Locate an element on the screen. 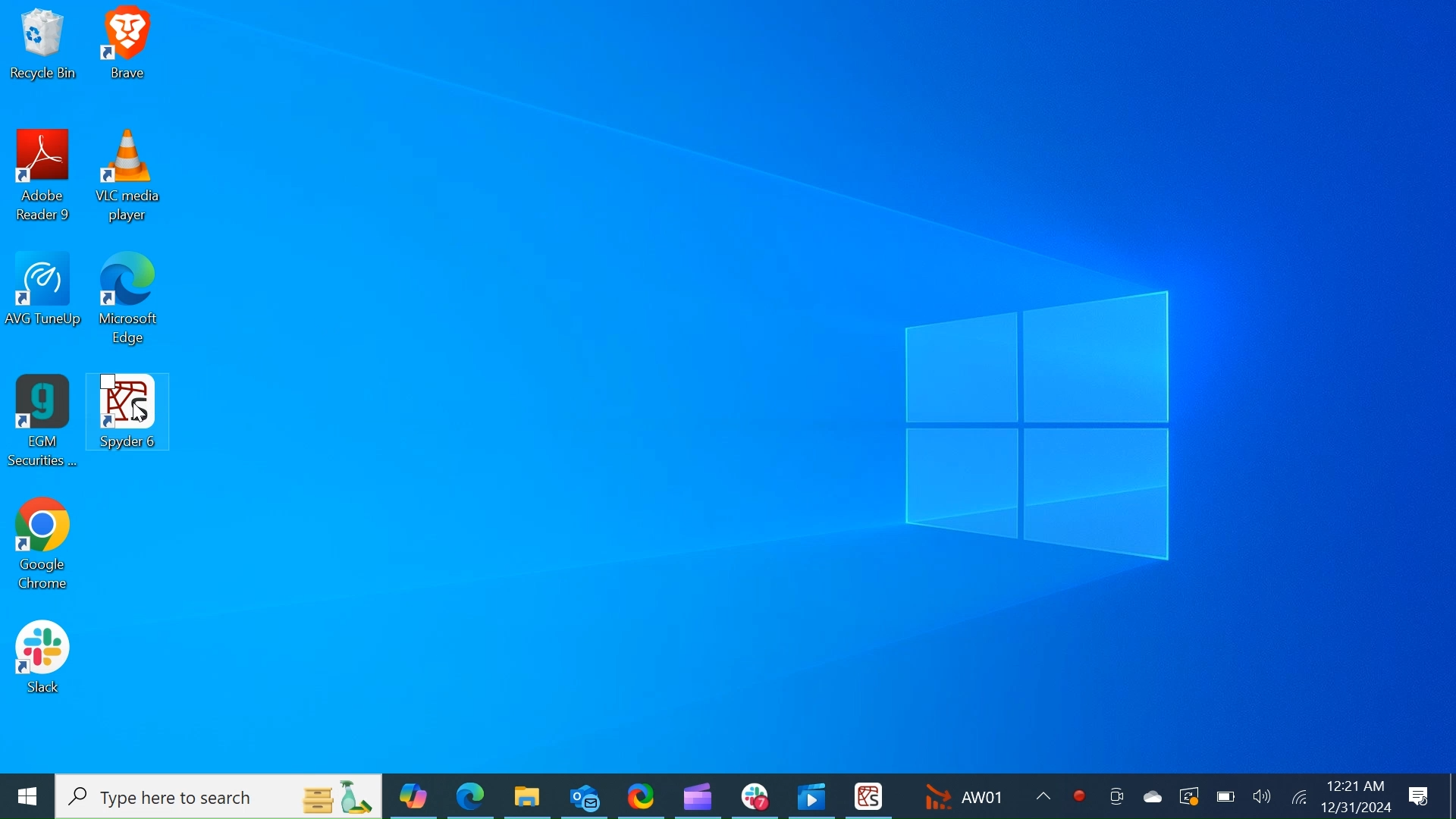 The image size is (1456, 819). EGM Securities Desktop Icon is located at coordinates (42, 426).